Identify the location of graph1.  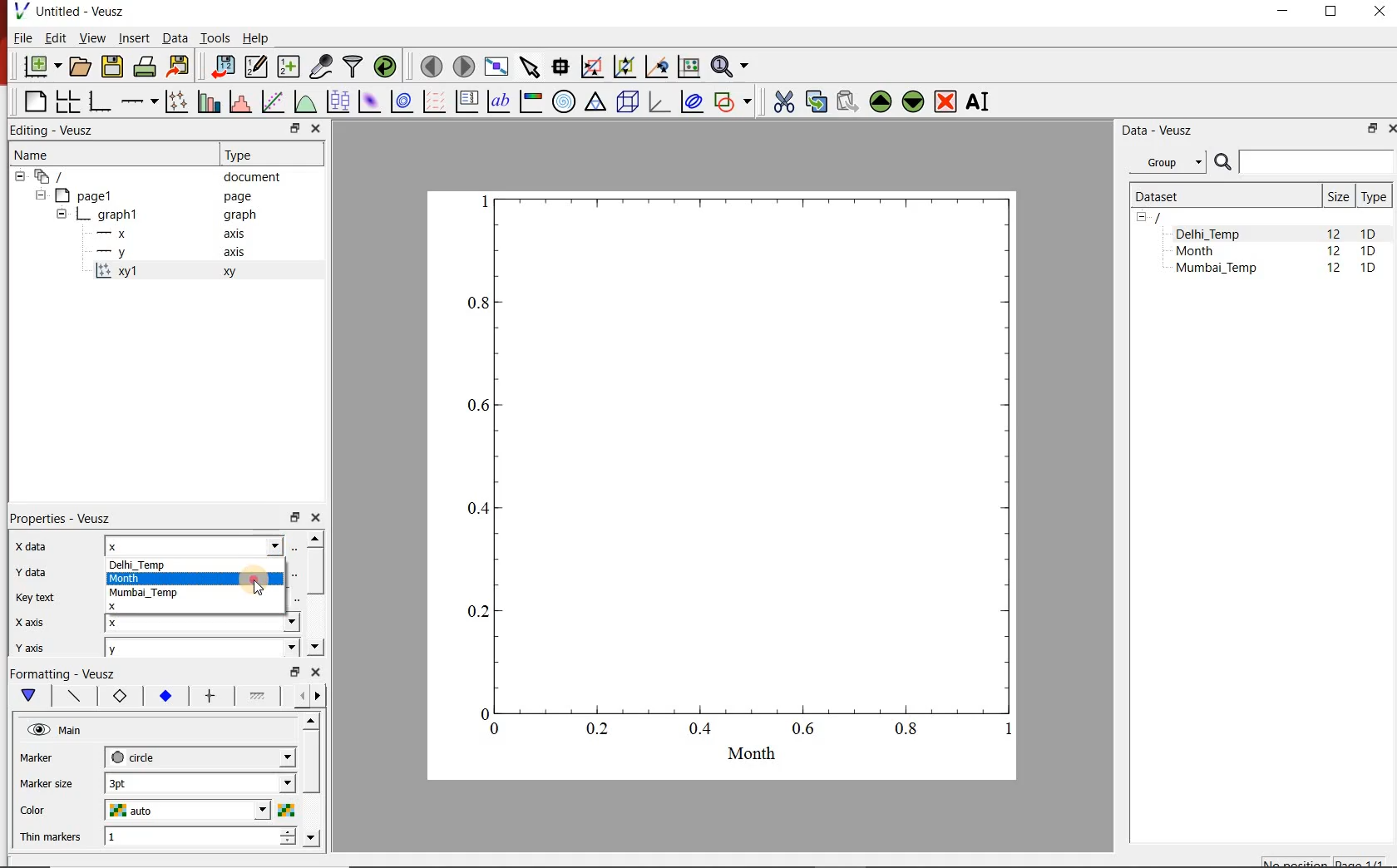
(741, 474).